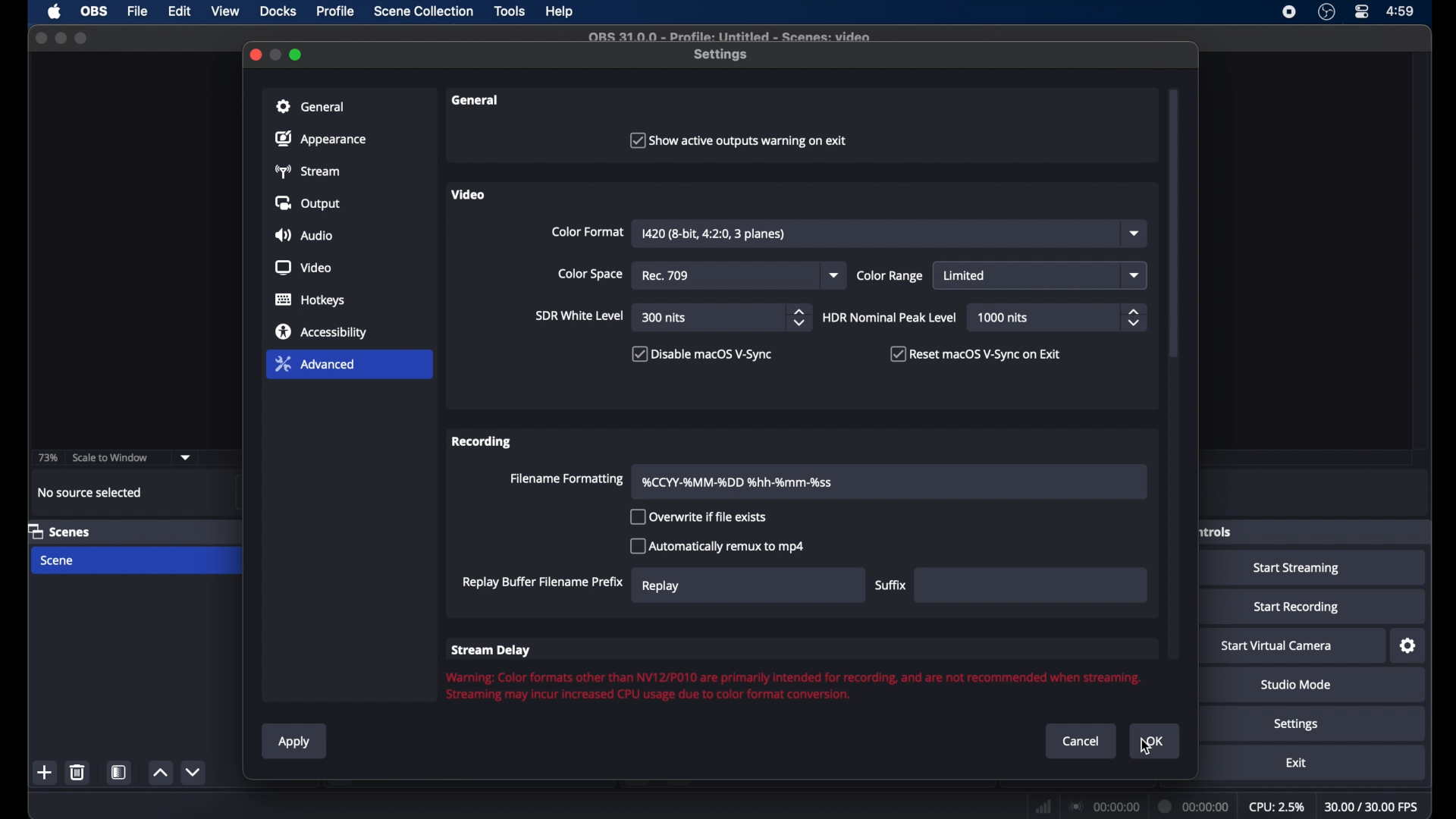  Describe the element at coordinates (120, 772) in the screenshot. I see `scene filters` at that location.